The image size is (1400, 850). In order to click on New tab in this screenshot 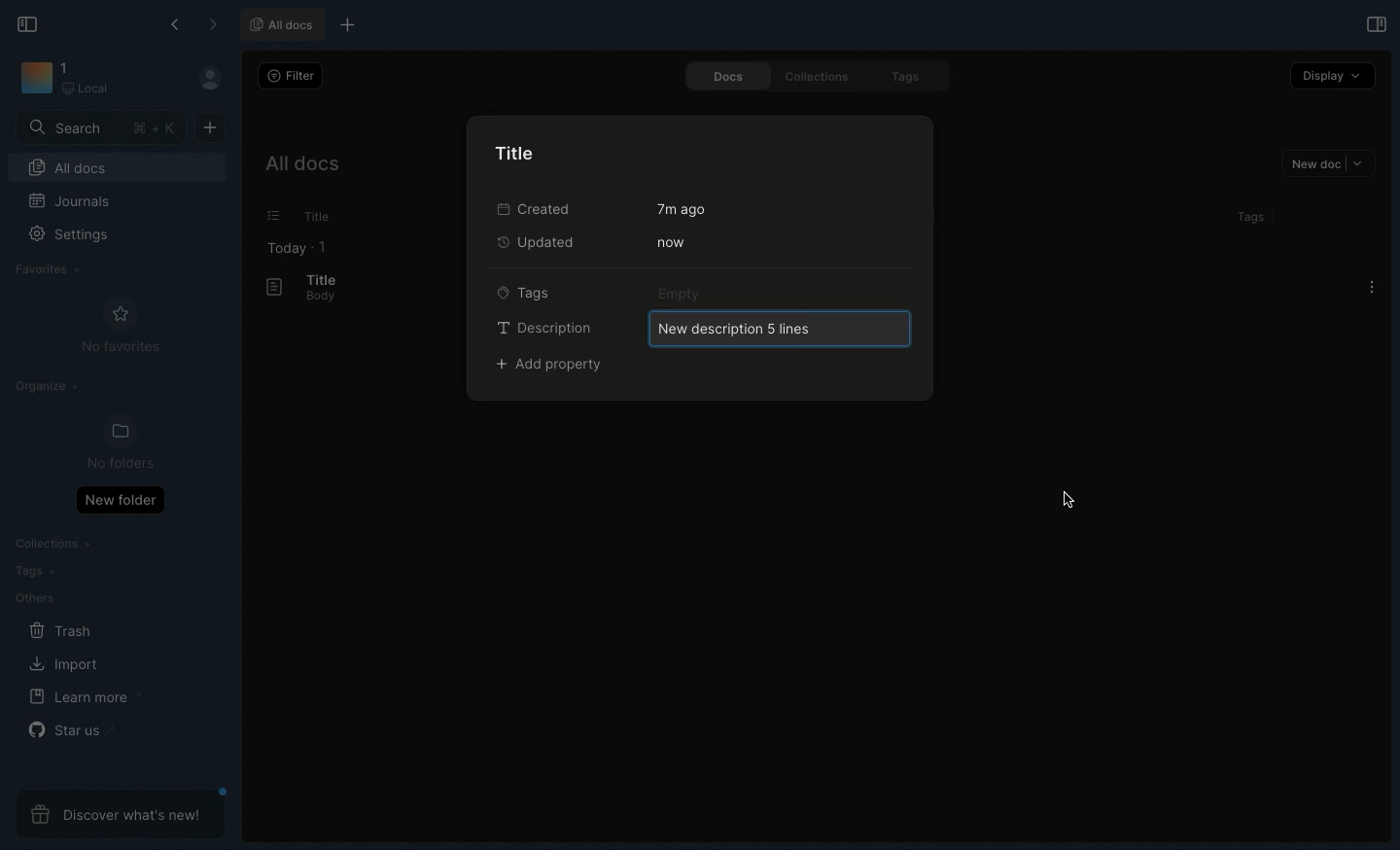, I will do `click(344, 26)`.